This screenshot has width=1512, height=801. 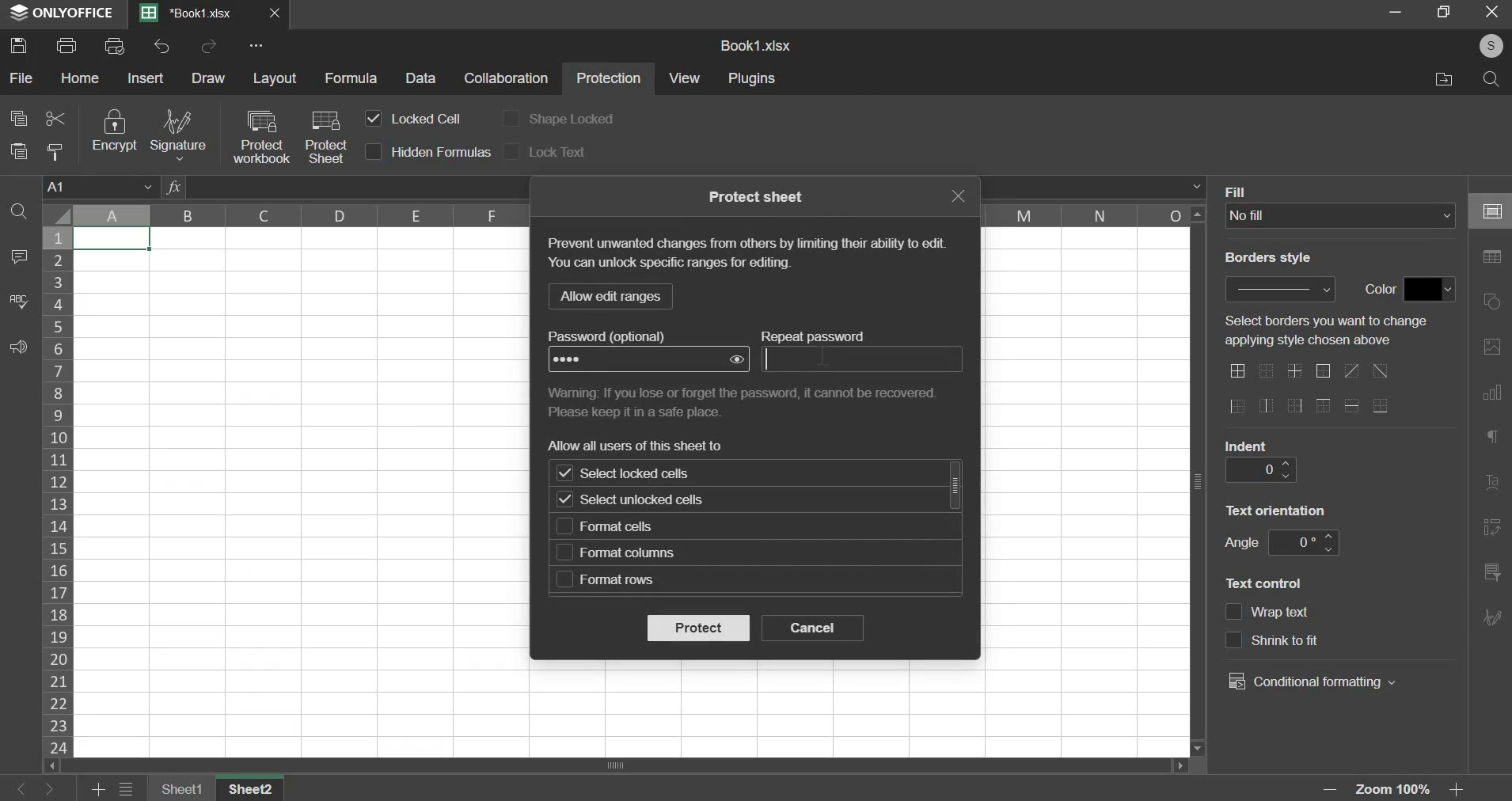 I want to click on right side bar, so click(x=1496, y=211).